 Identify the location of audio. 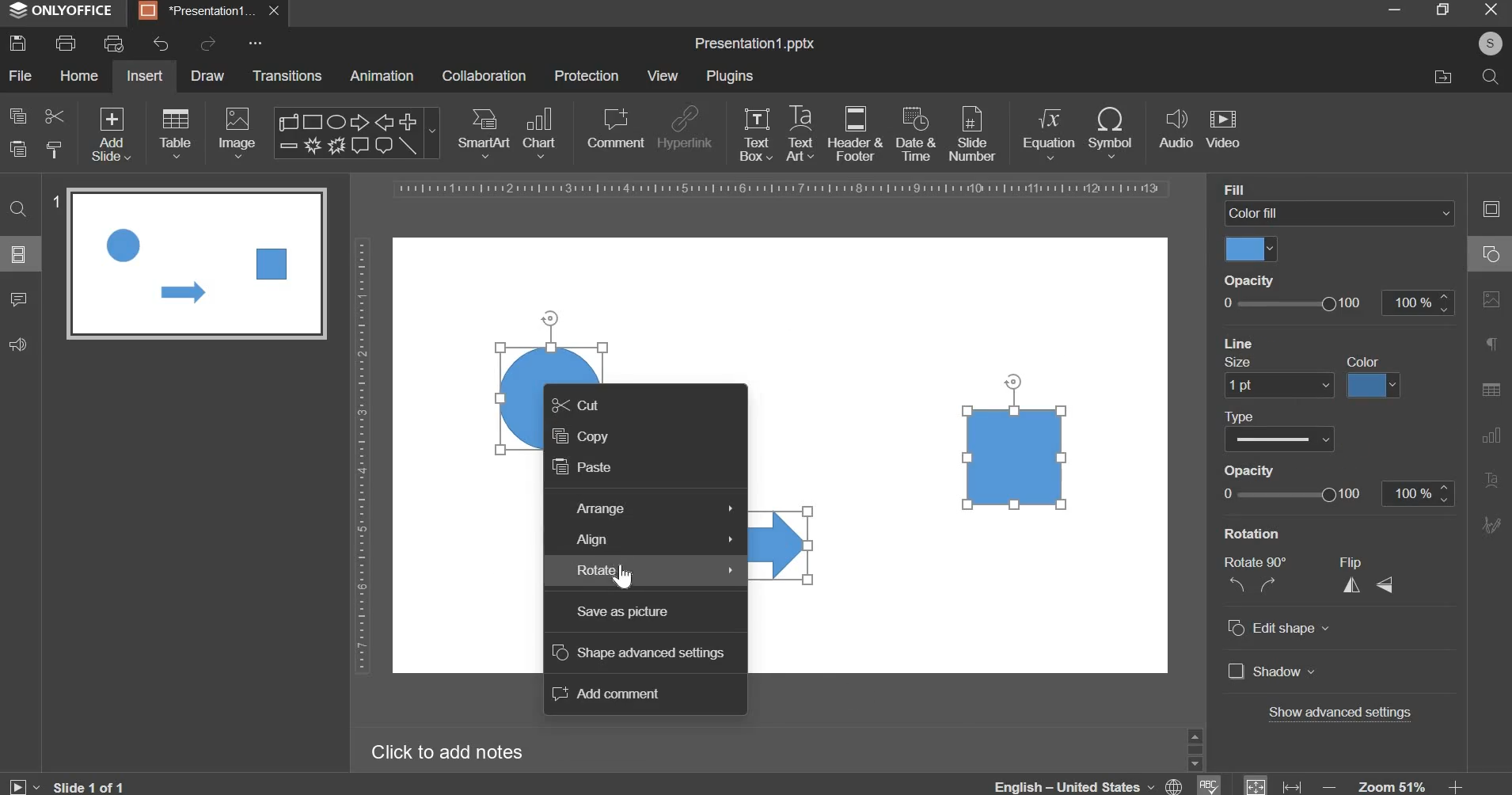
(1176, 130).